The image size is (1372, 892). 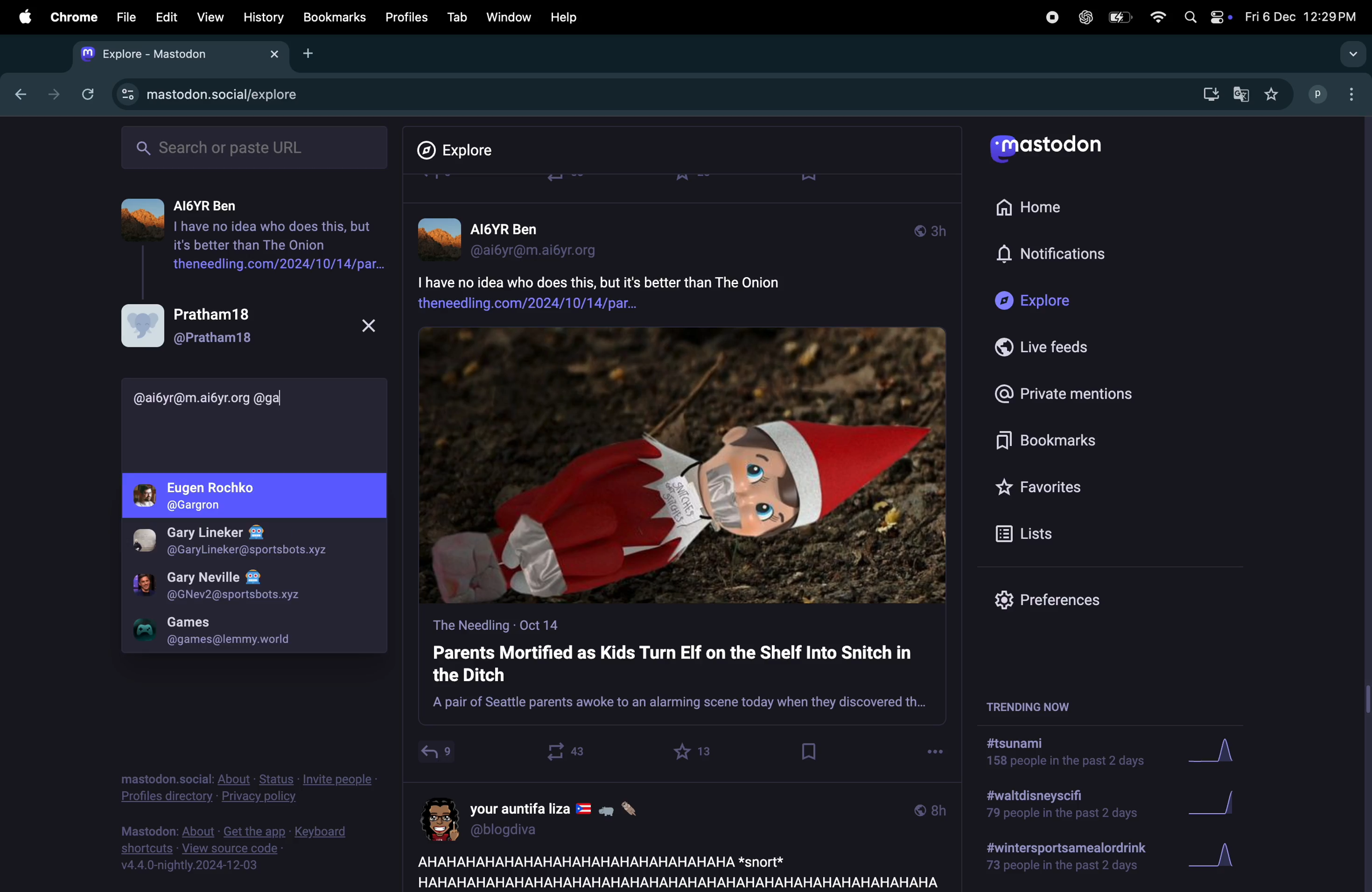 I want to click on #walt disney, so click(x=1058, y=808).